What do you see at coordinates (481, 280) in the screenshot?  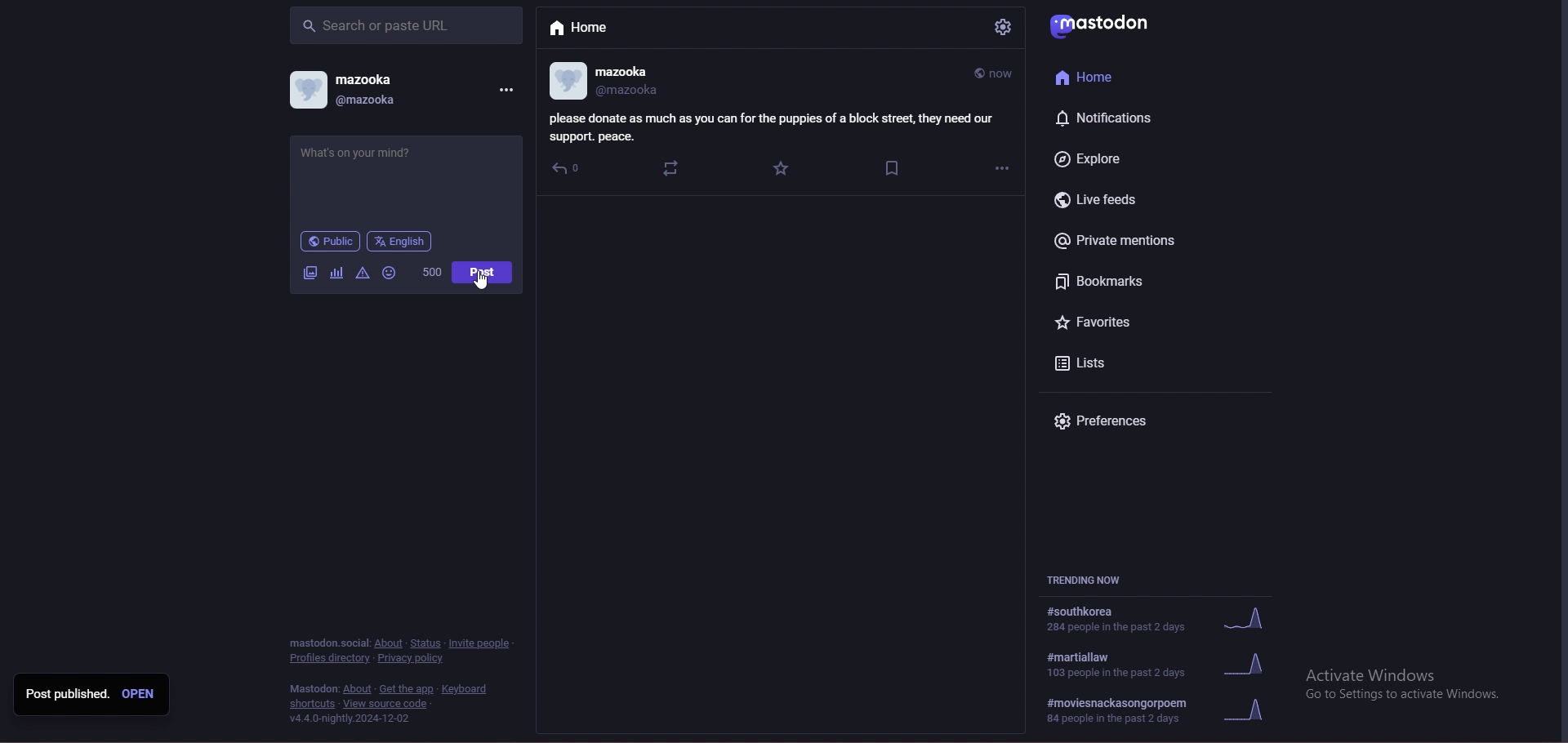 I see `cursor` at bounding box center [481, 280].